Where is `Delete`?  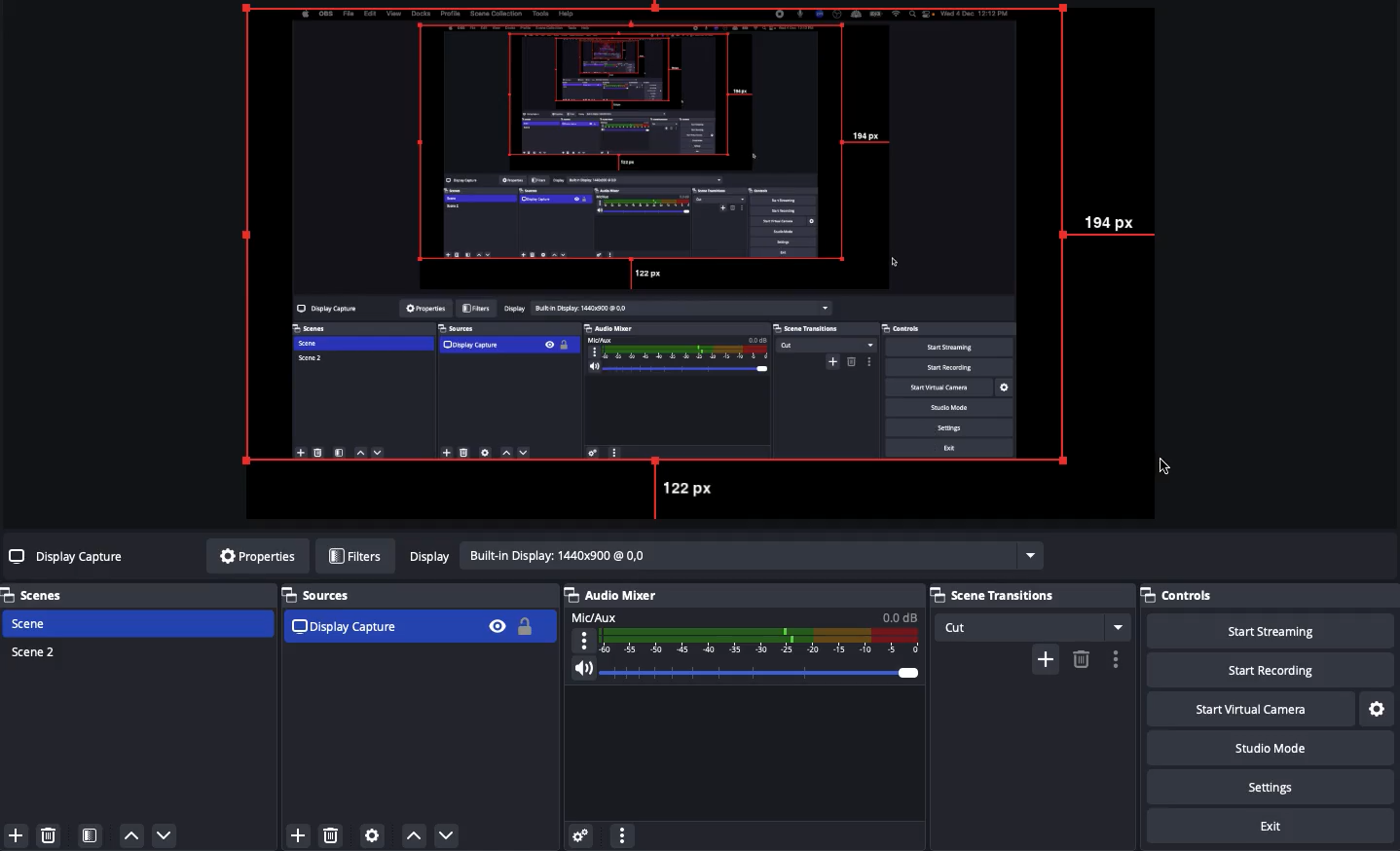 Delete is located at coordinates (52, 834).